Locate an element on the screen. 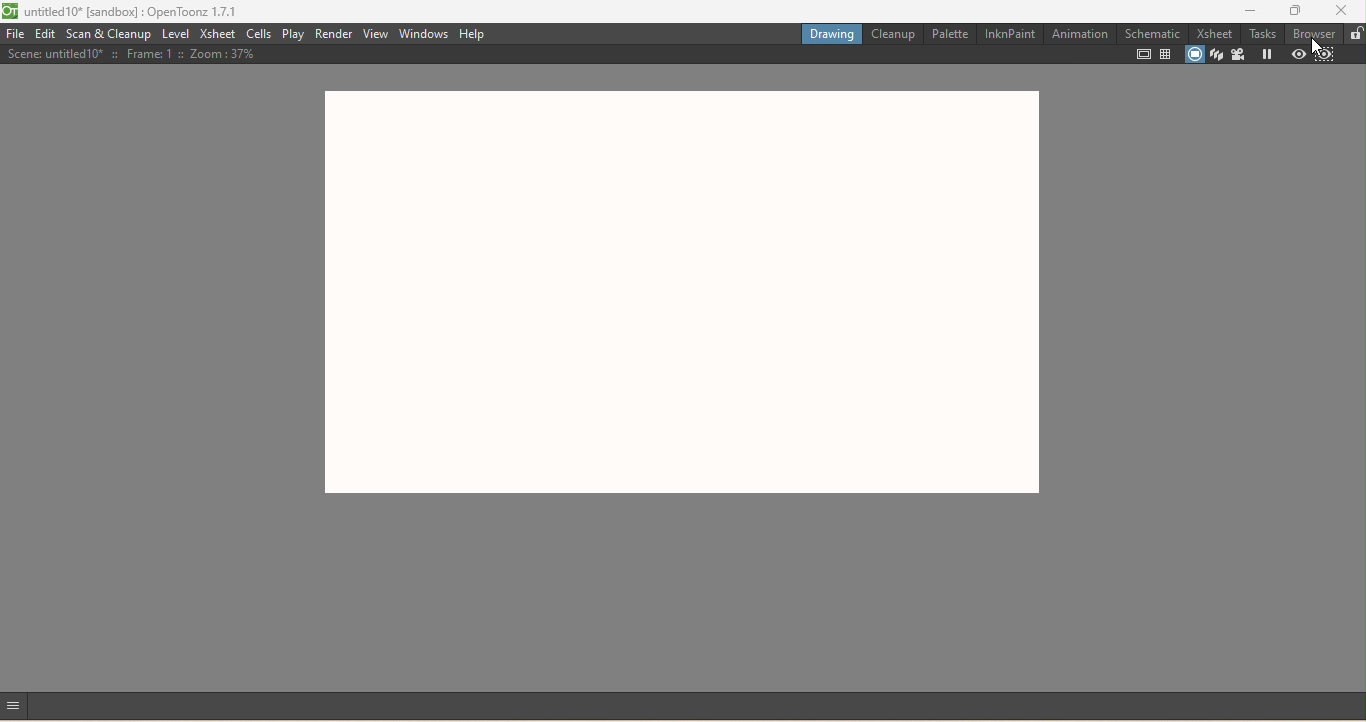  Scan & Cleanup is located at coordinates (107, 33).